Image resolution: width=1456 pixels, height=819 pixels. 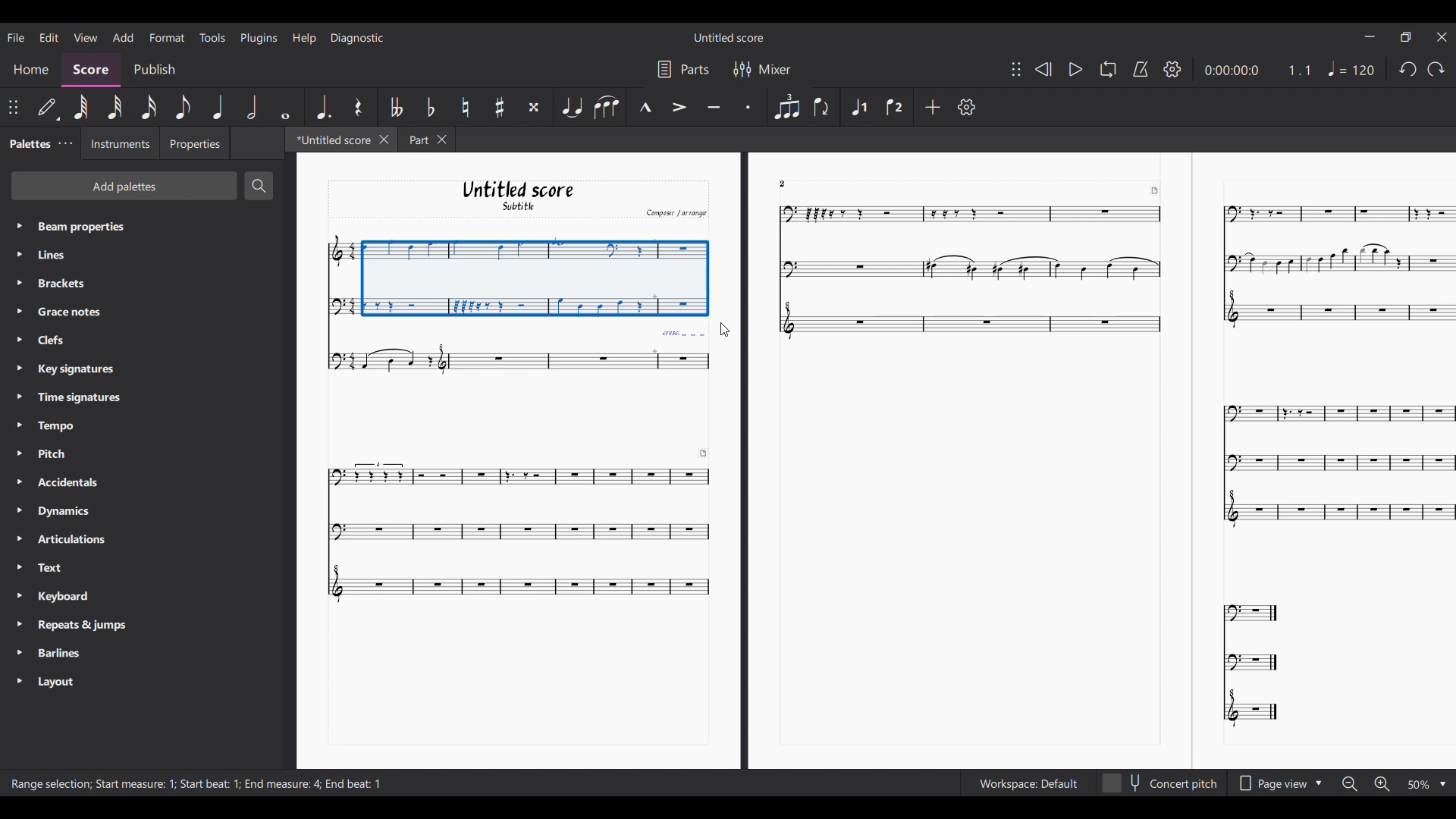 What do you see at coordinates (123, 38) in the screenshot?
I see `Add` at bounding box center [123, 38].